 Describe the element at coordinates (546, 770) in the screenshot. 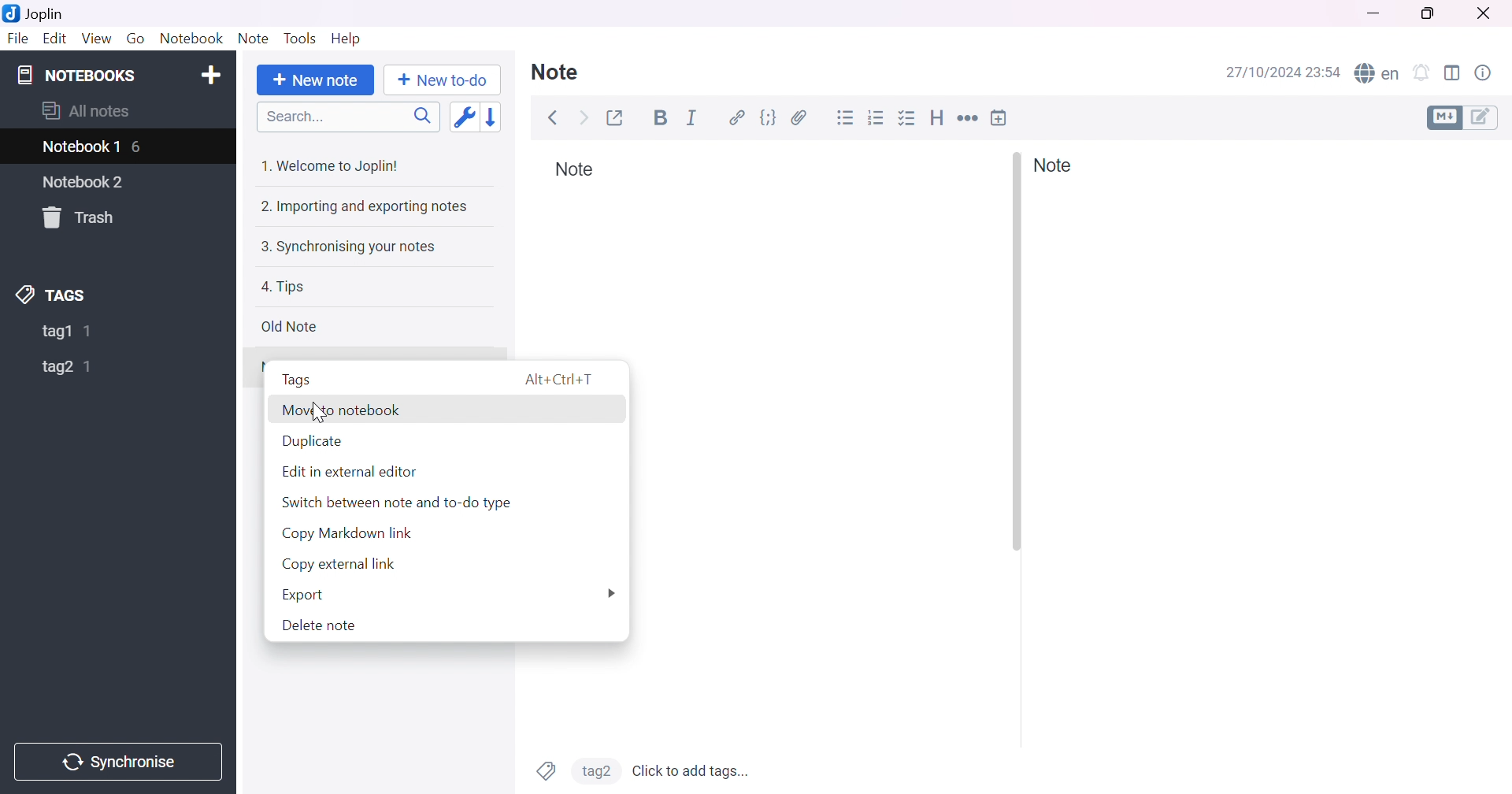

I see `Tags` at that location.